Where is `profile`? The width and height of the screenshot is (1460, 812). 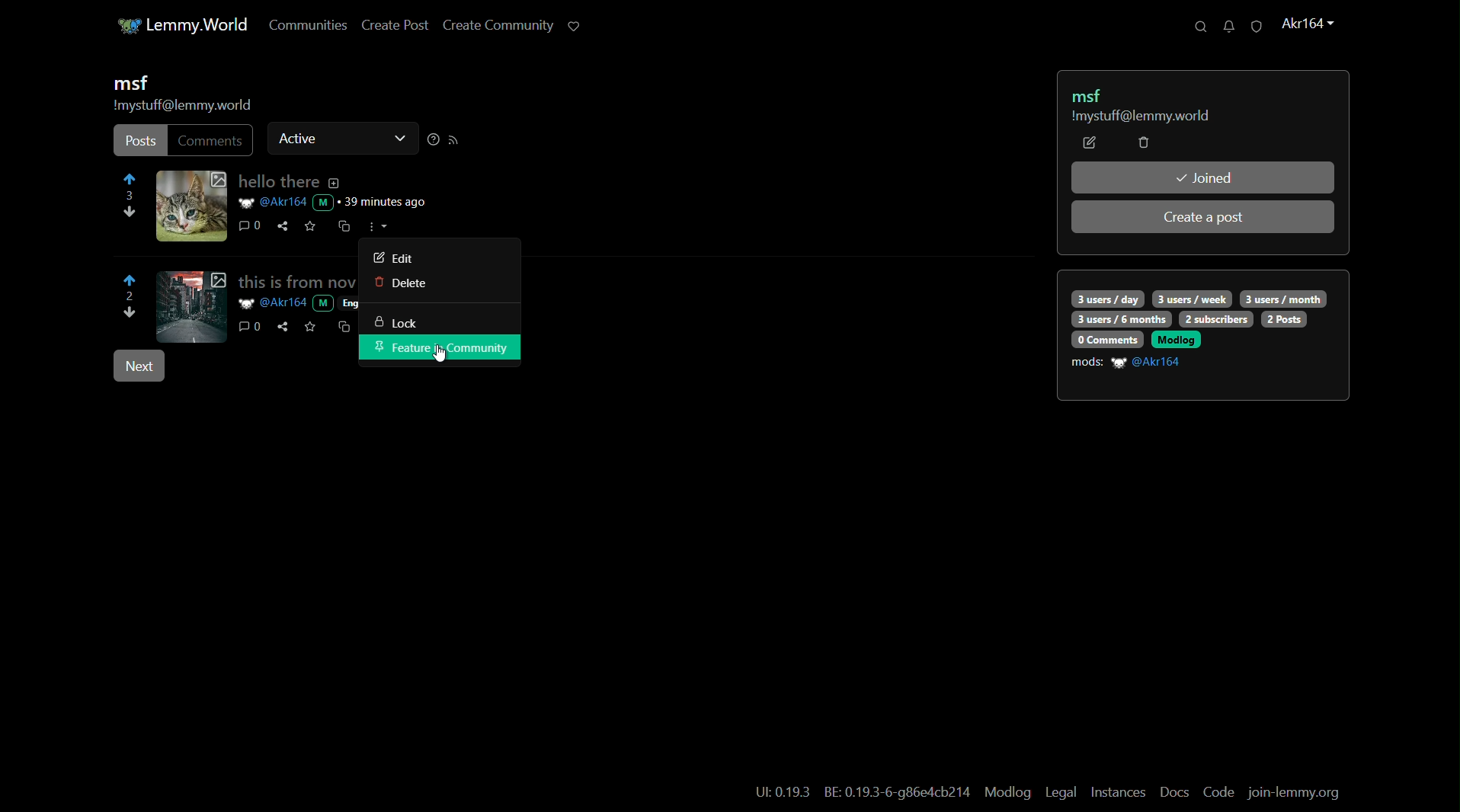 profile is located at coordinates (1305, 24).